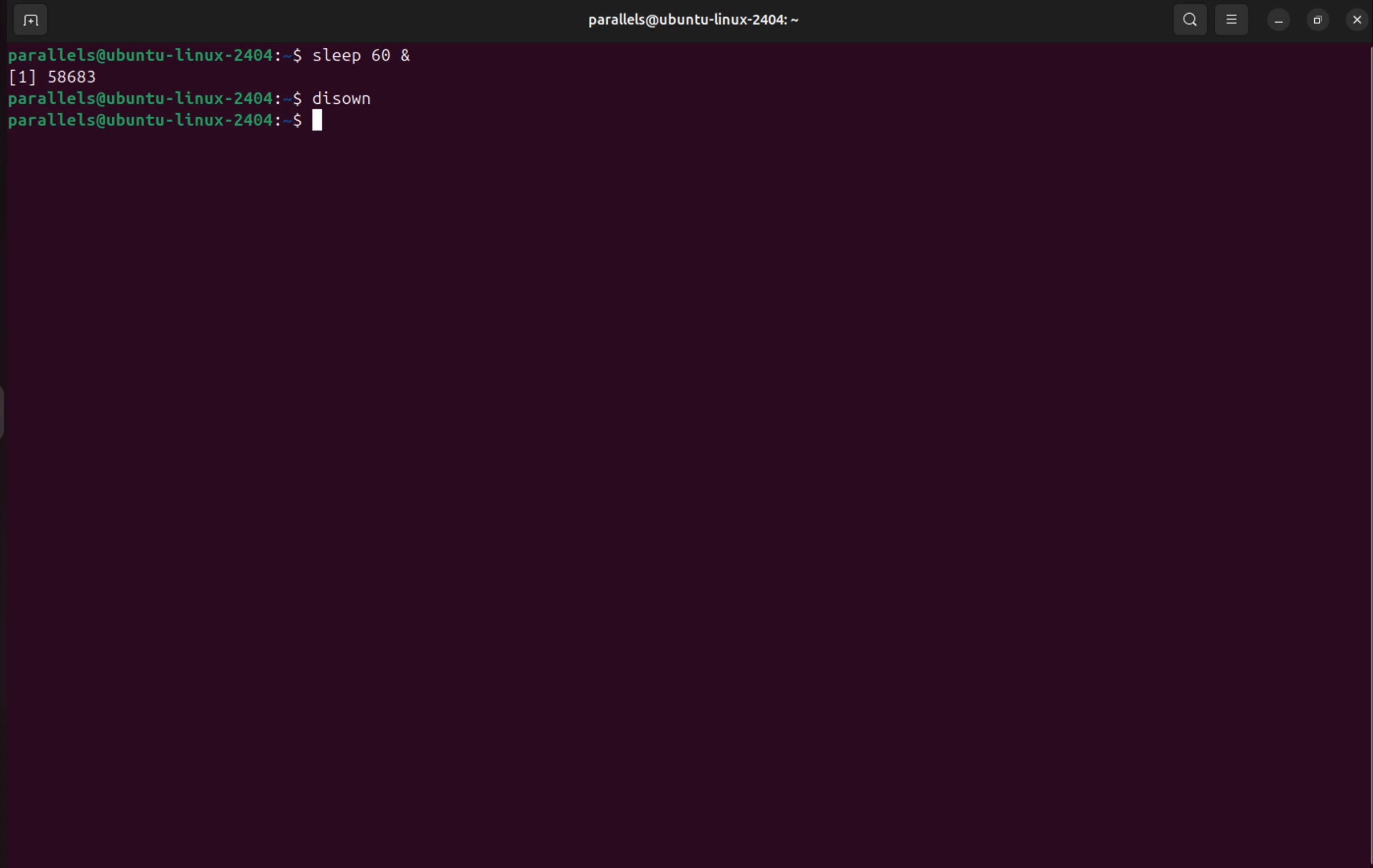 The width and height of the screenshot is (1373, 868). I want to click on search, so click(1187, 18).